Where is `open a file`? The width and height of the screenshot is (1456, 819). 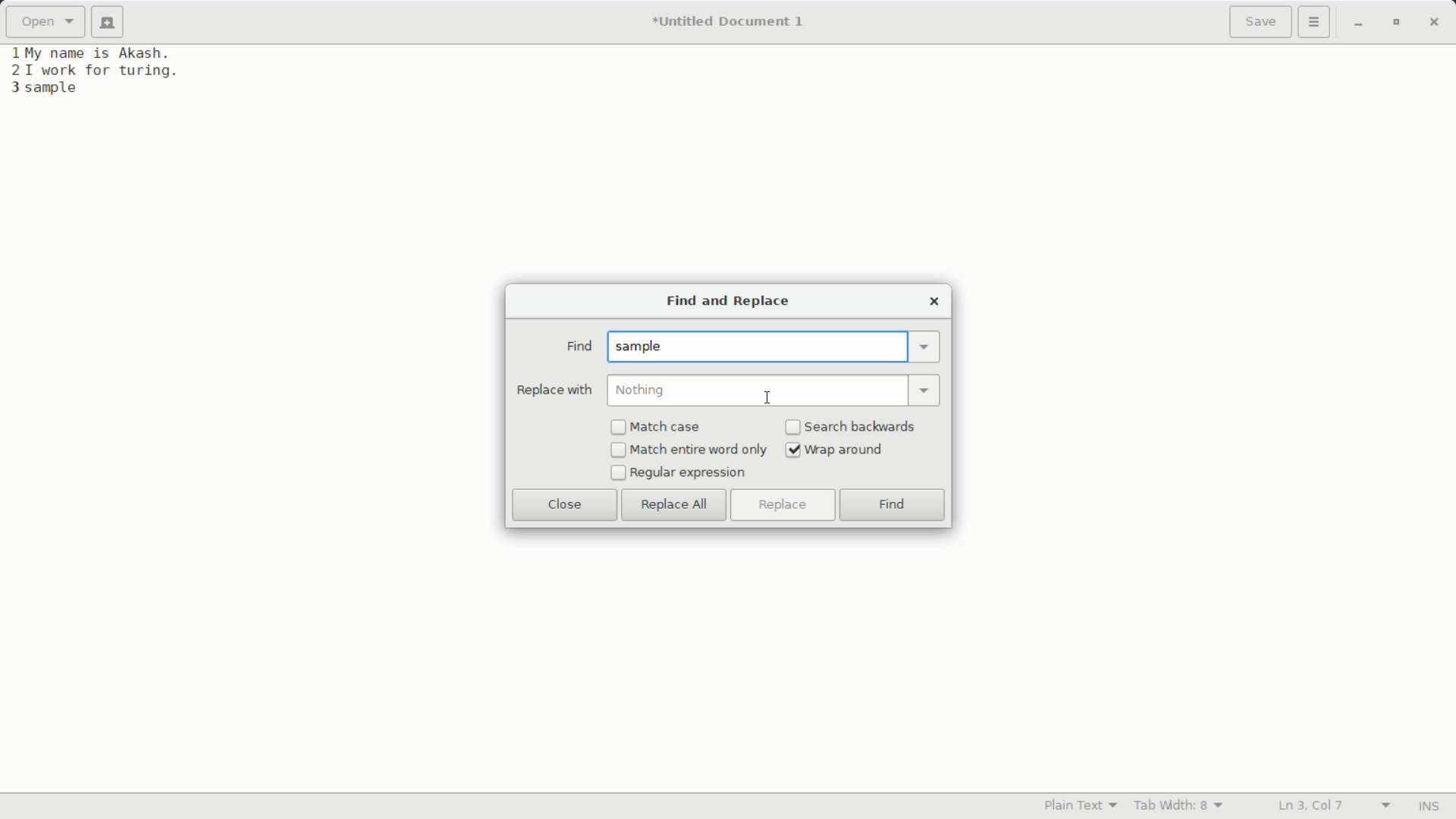 open a file is located at coordinates (45, 22).